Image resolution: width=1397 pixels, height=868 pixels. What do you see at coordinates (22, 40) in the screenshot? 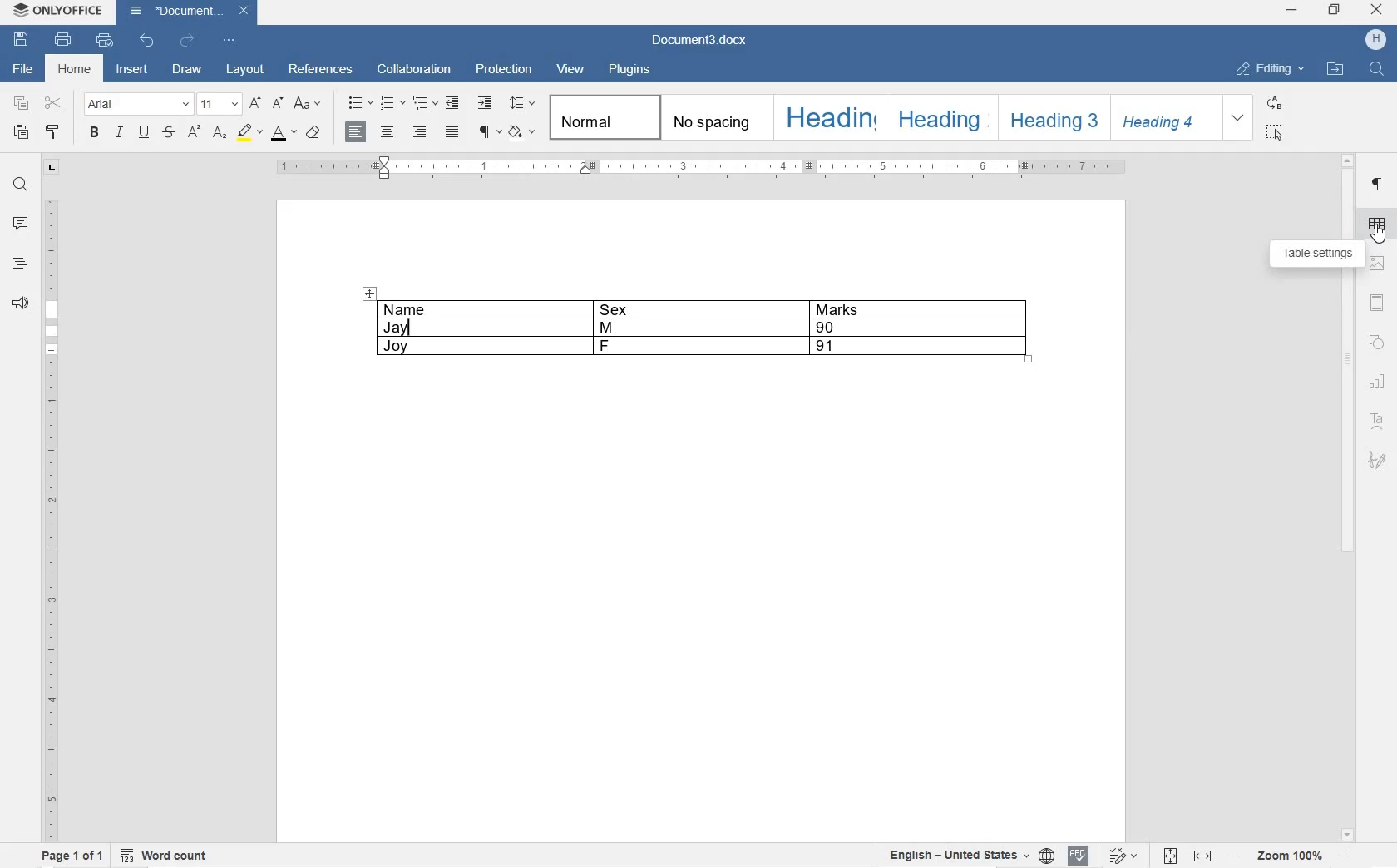
I see `SAVE` at bounding box center [22, 40].